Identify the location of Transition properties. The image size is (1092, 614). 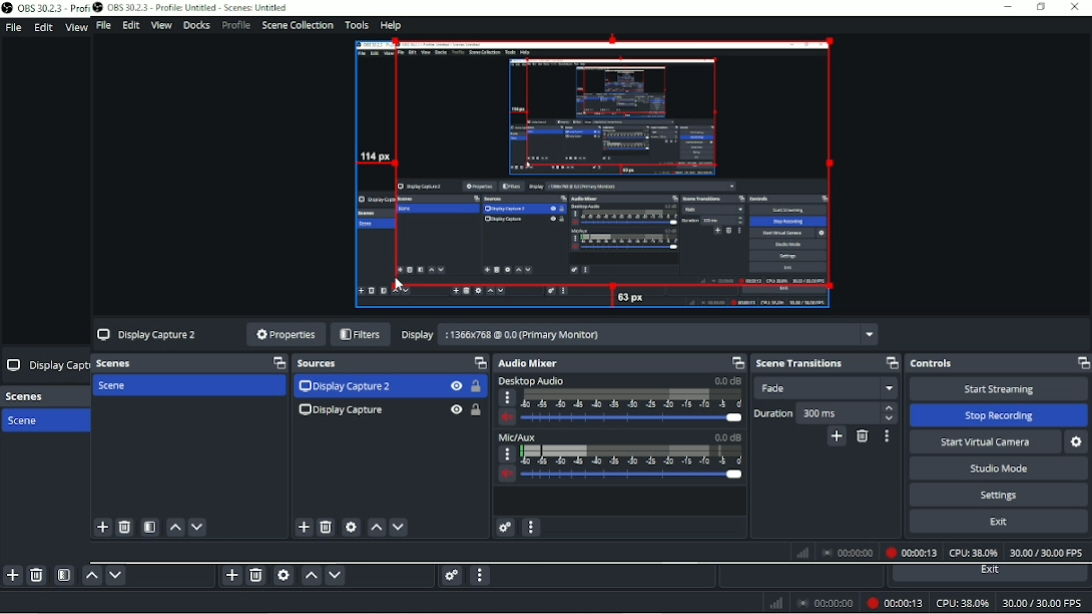
(888, 438).